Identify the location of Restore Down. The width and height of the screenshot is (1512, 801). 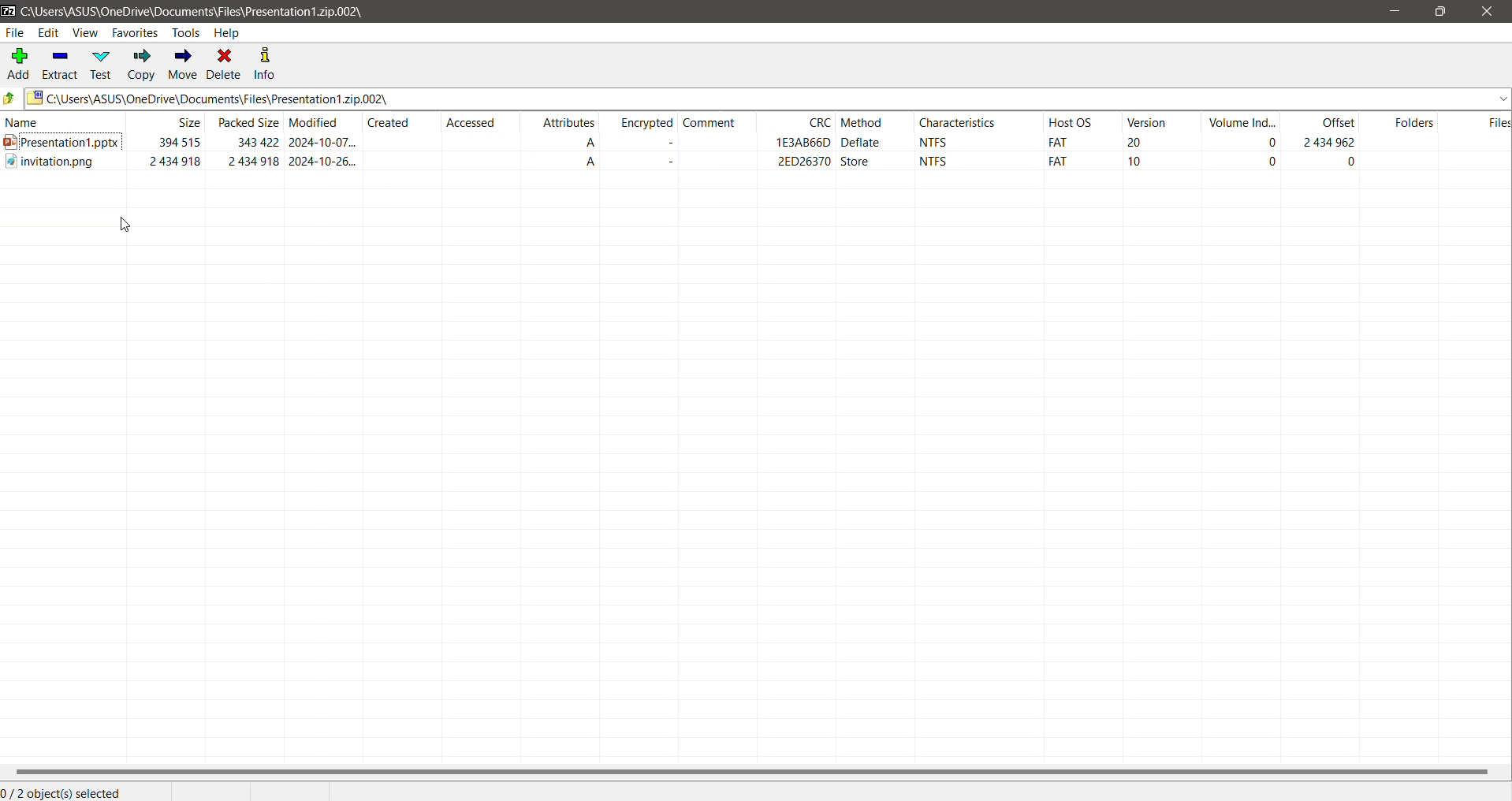
(1440, 11).